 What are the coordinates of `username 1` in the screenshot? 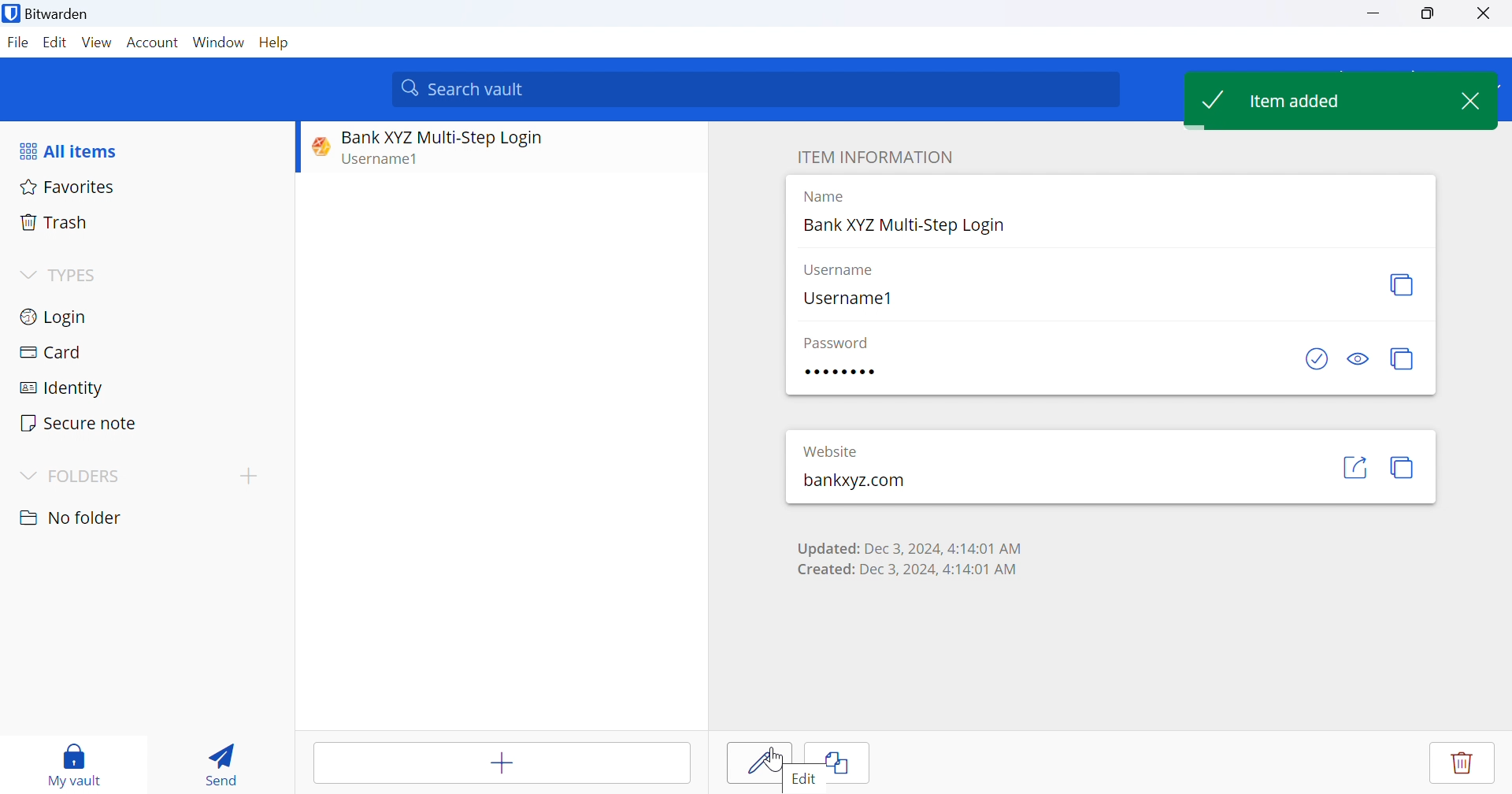 It's located at (405, 158).